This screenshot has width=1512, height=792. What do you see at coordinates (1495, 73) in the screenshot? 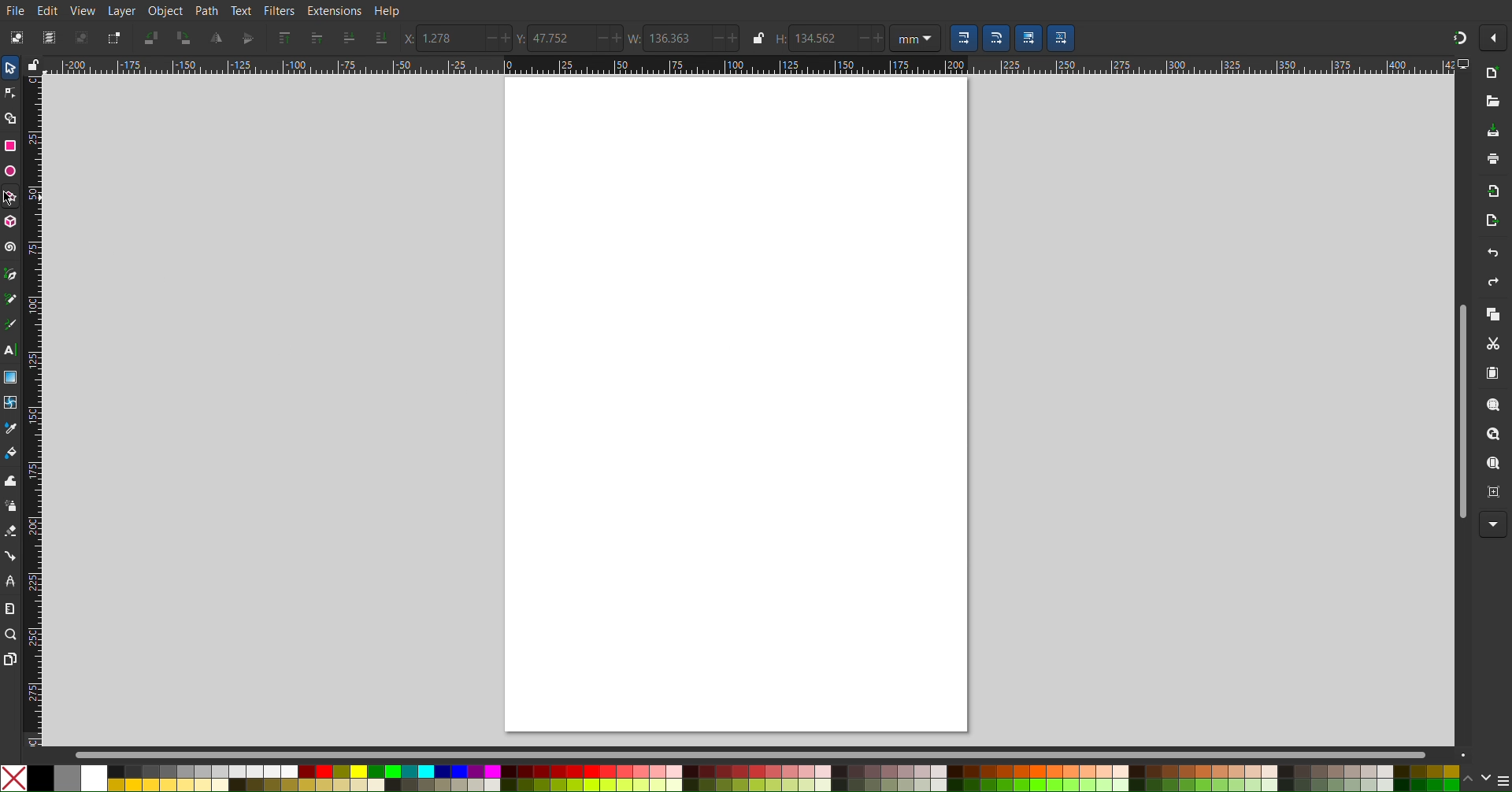
I see `New` at bounding box center [1495, 73].